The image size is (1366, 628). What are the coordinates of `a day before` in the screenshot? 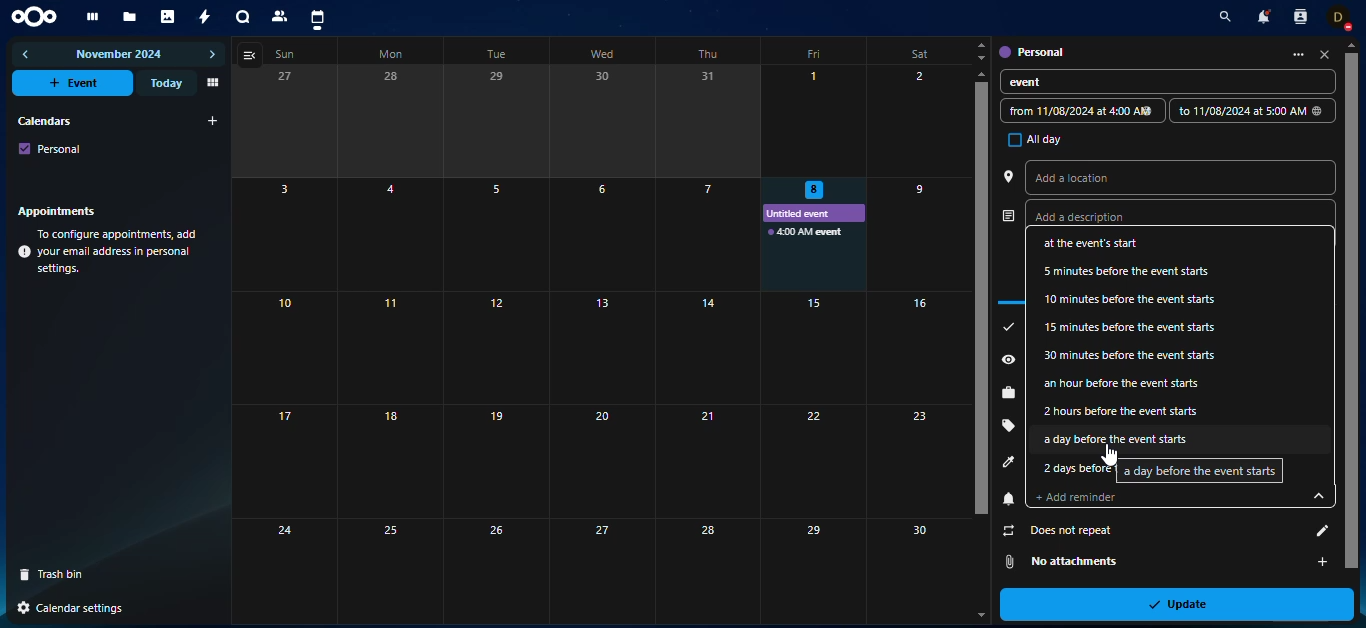 It's located at (1201, 472).